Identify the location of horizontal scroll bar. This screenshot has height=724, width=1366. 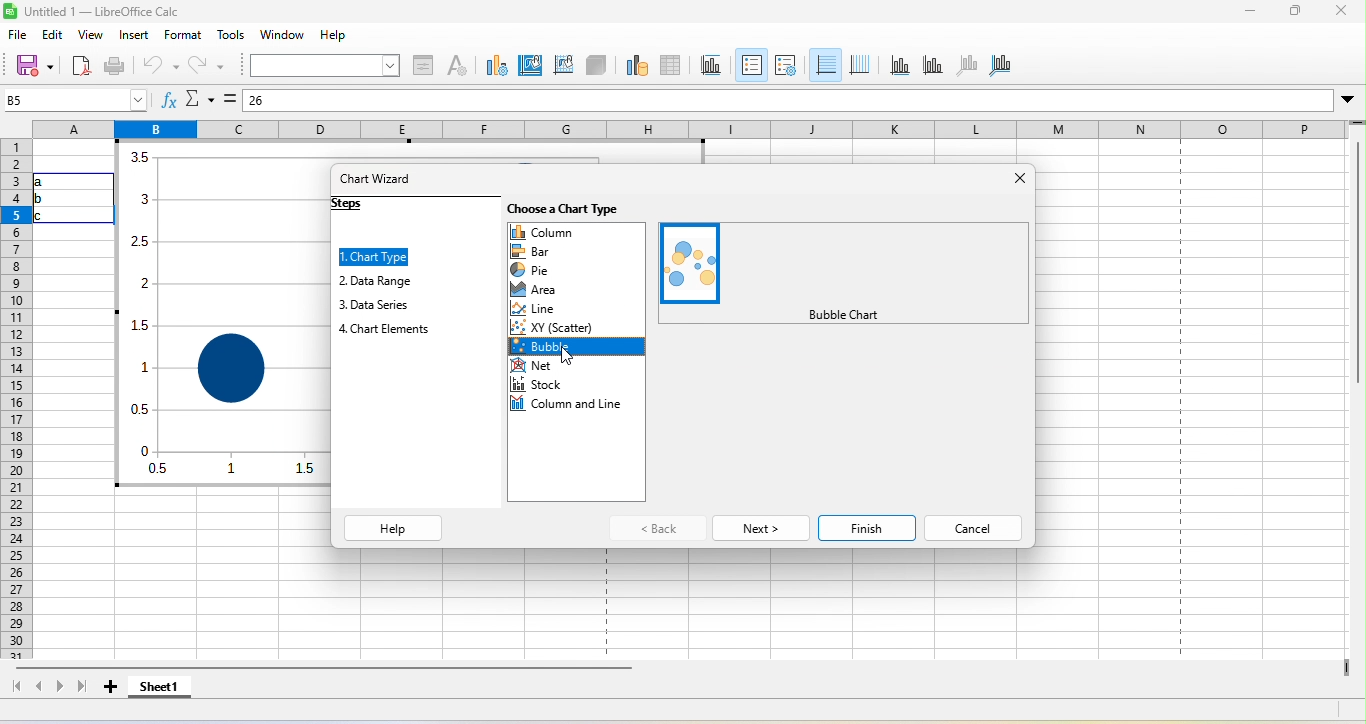
(333, 670).